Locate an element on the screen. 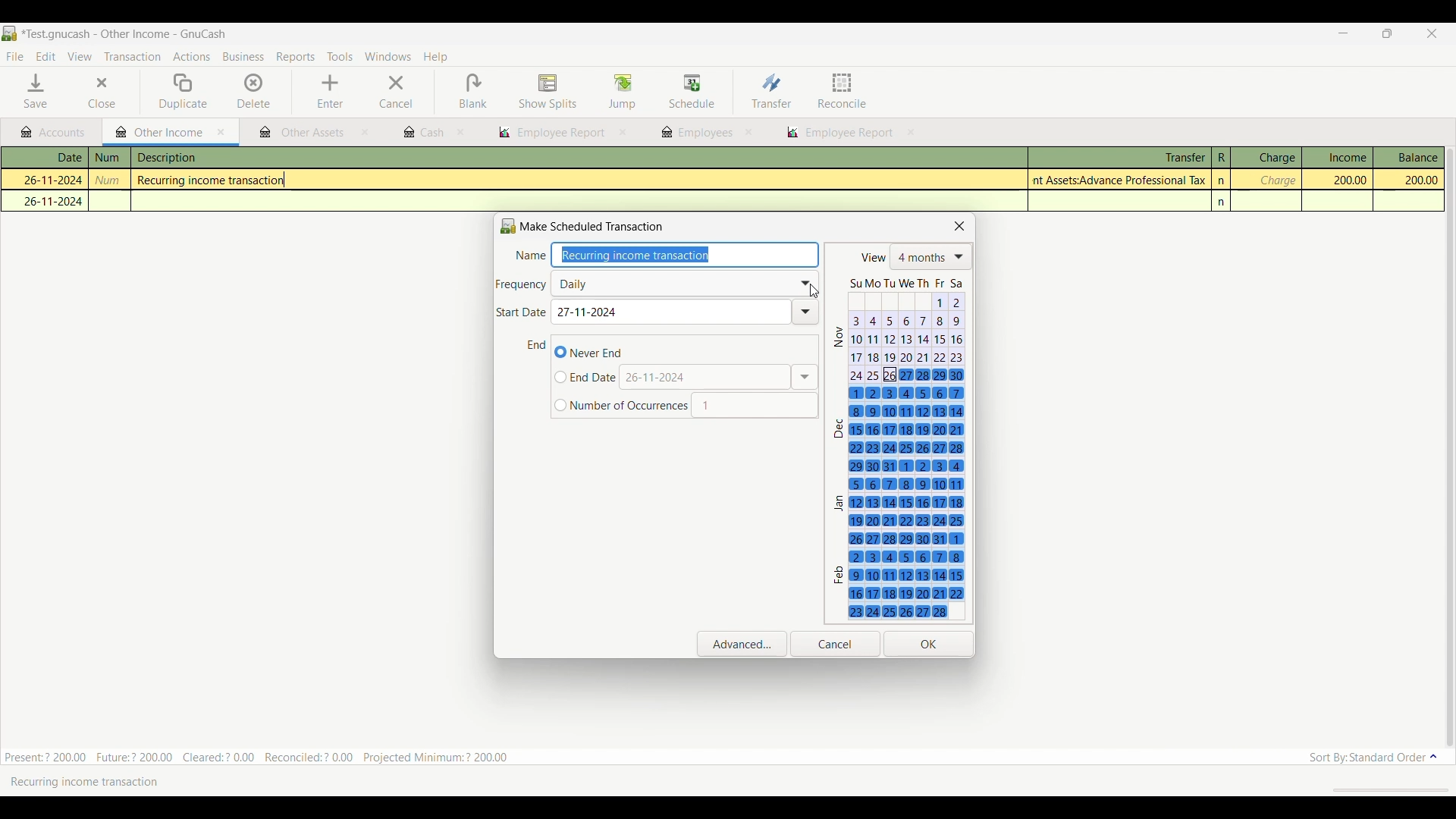 The height and width of the screenshot is (819, 1456). Enter start date of transaction is located at coordinates (670, 312).